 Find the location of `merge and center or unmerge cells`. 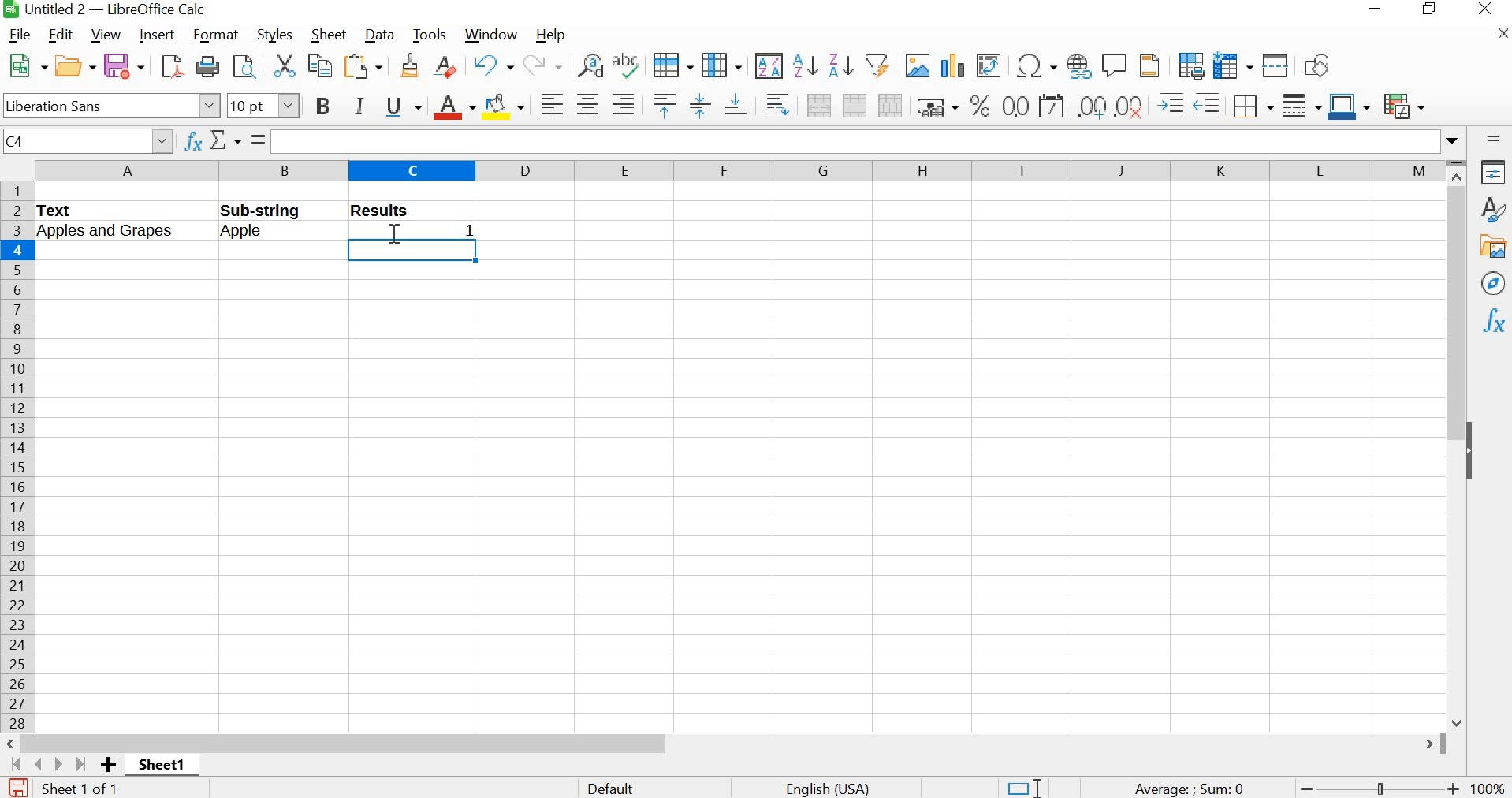

merge and center or unmerge cells is located at coordinates (818, 104).